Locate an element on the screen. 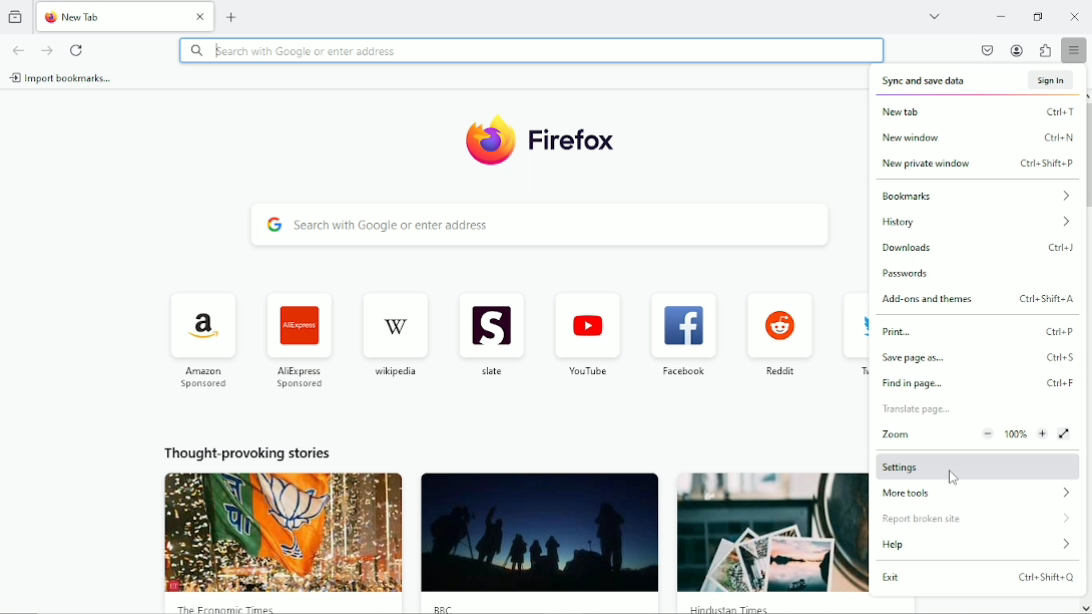 The width and height of the screenshot is (1092, 614). image is located at coordinates (539, 533).